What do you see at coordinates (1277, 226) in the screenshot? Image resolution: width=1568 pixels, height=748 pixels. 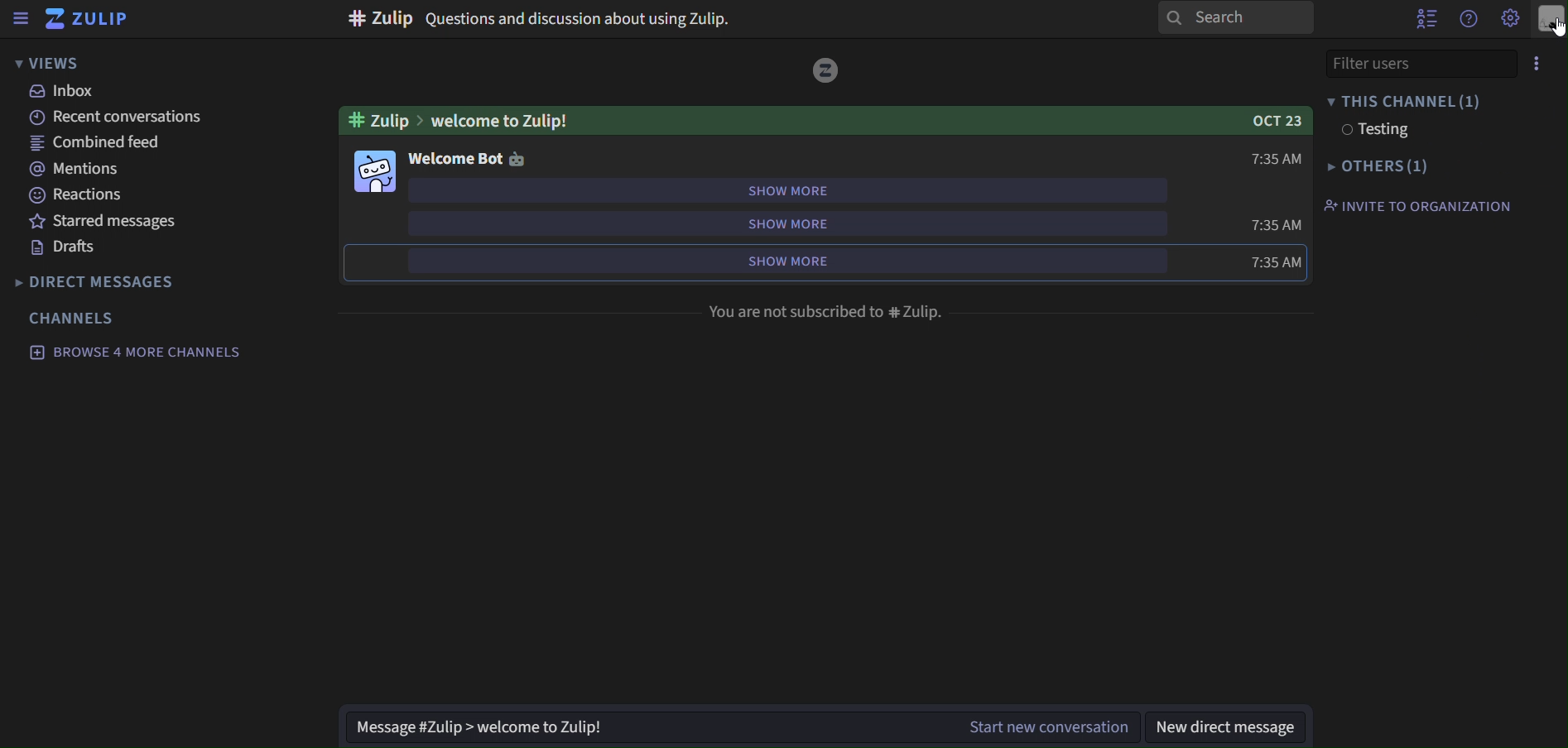 I see `7:35 am ` at bounding box center [1277, 226].